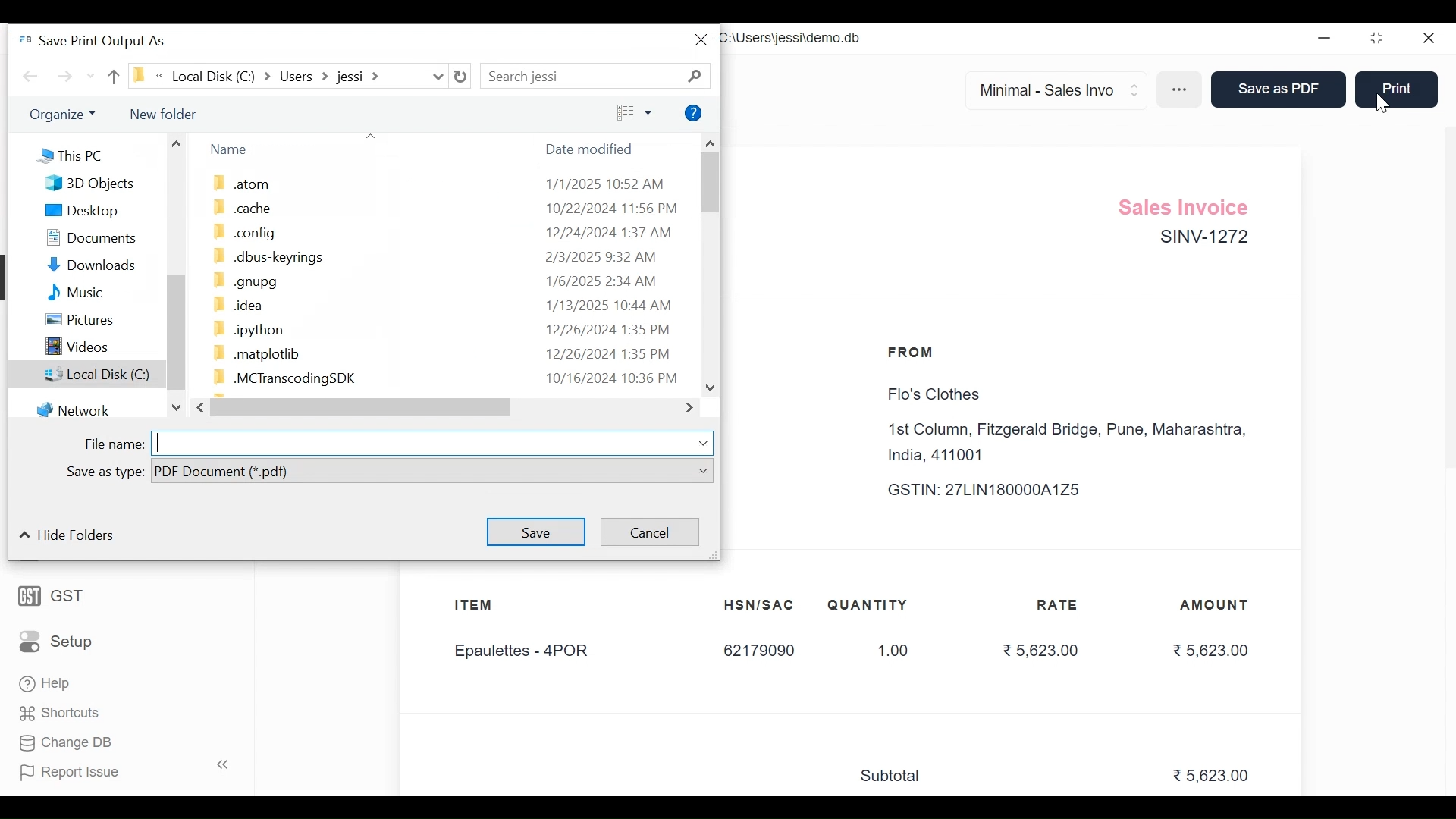 This screenshot has width=1456, height=819. Describe the element at coordinates (607, 232) in the screenshot. I see `12/24/2024 1:37 AM` at that location.